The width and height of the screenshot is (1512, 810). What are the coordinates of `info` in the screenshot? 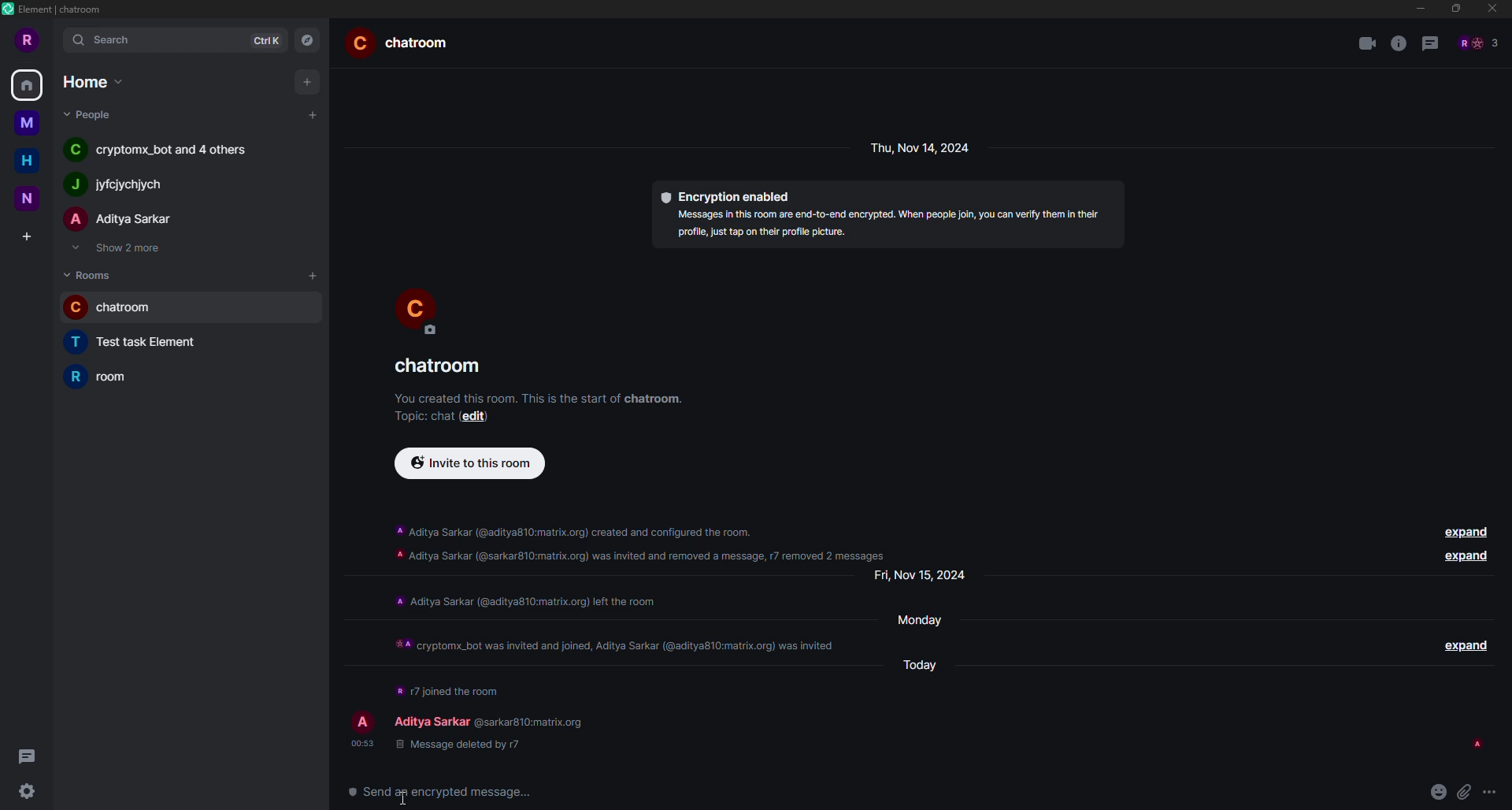 It's located at (447, 688).